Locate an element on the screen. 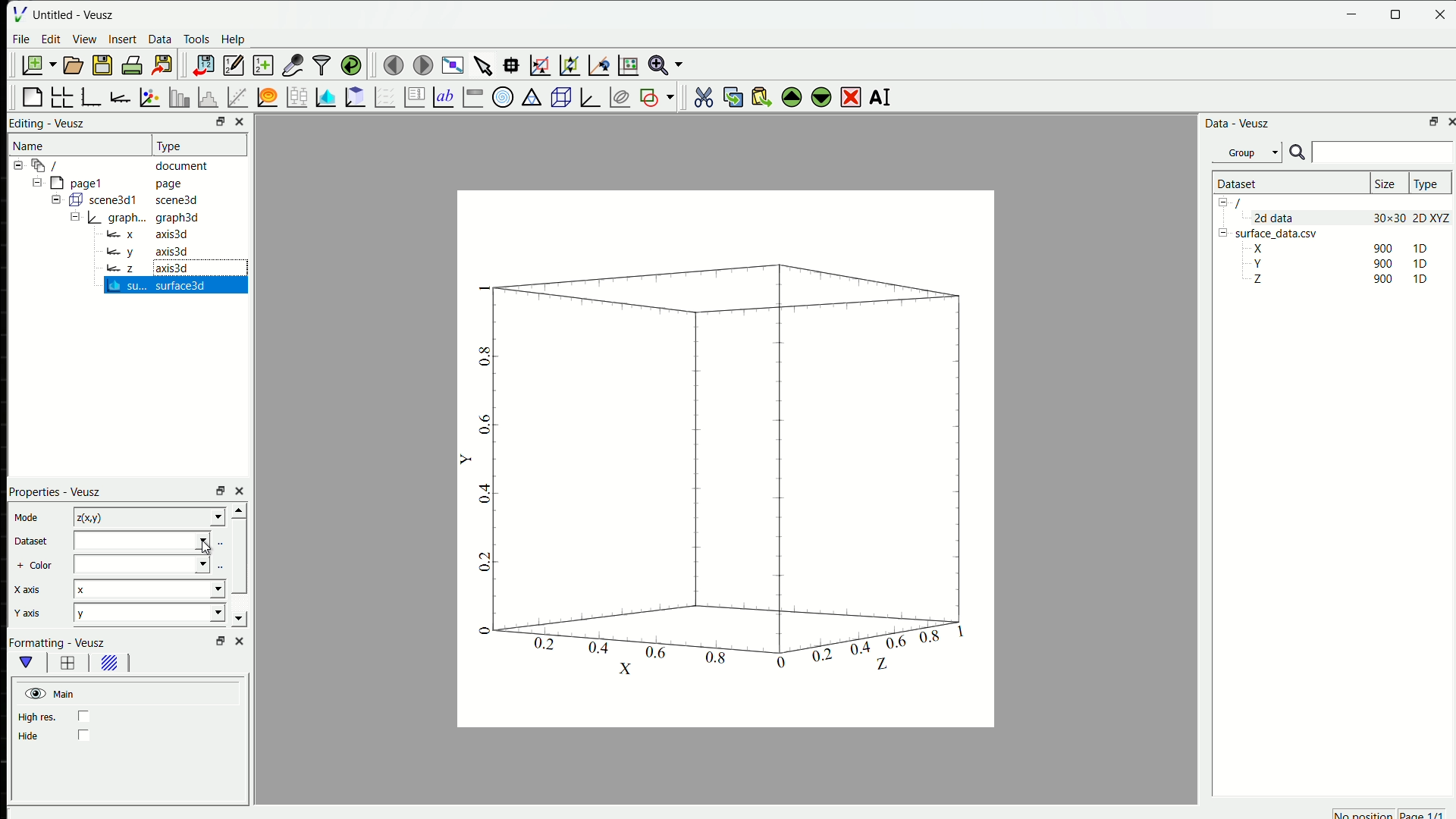  Editing - Veusz is located at coordinates (49, 124).